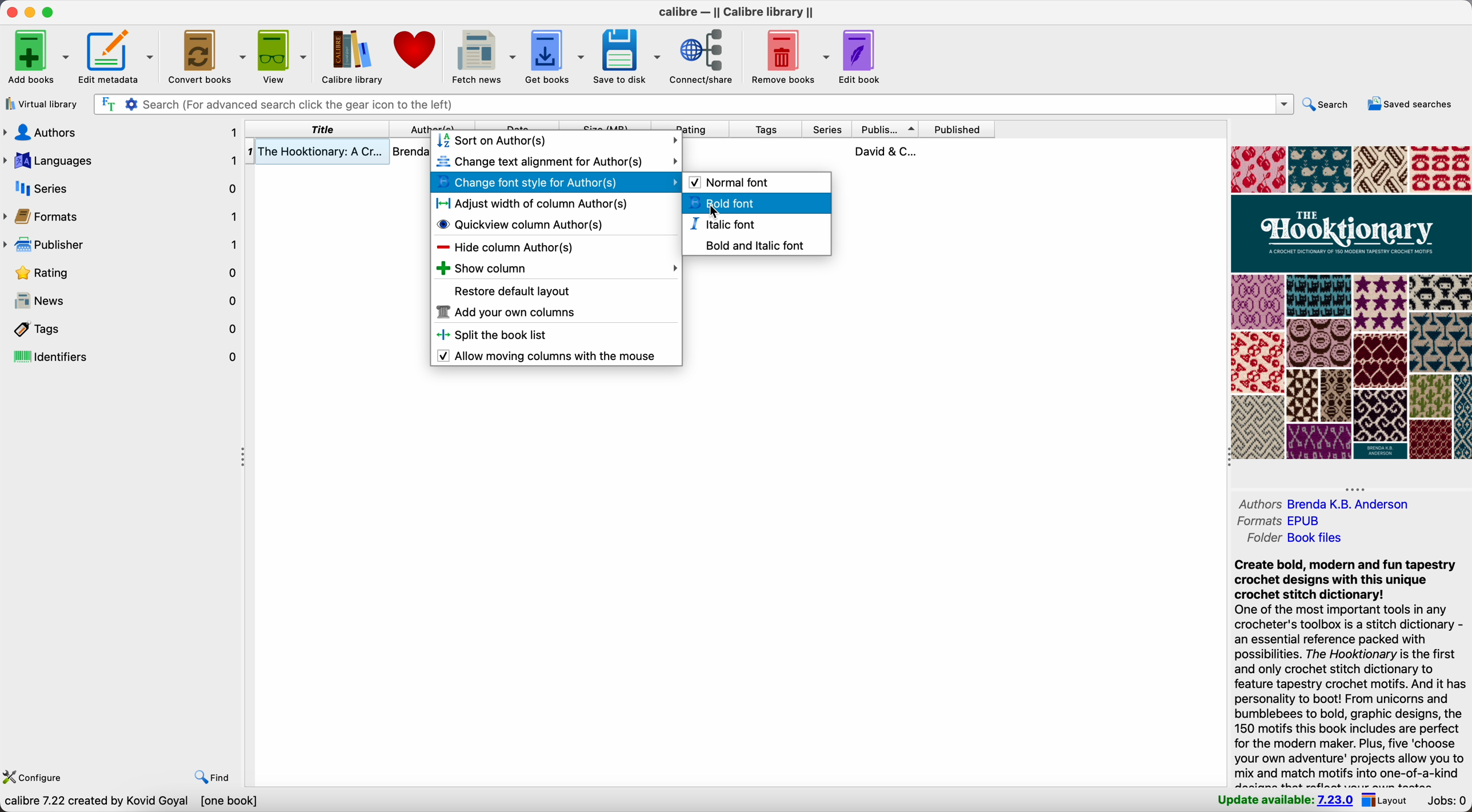 This screenshot has height=812, width=1472. I want to click on edit book, so click(858, 58).